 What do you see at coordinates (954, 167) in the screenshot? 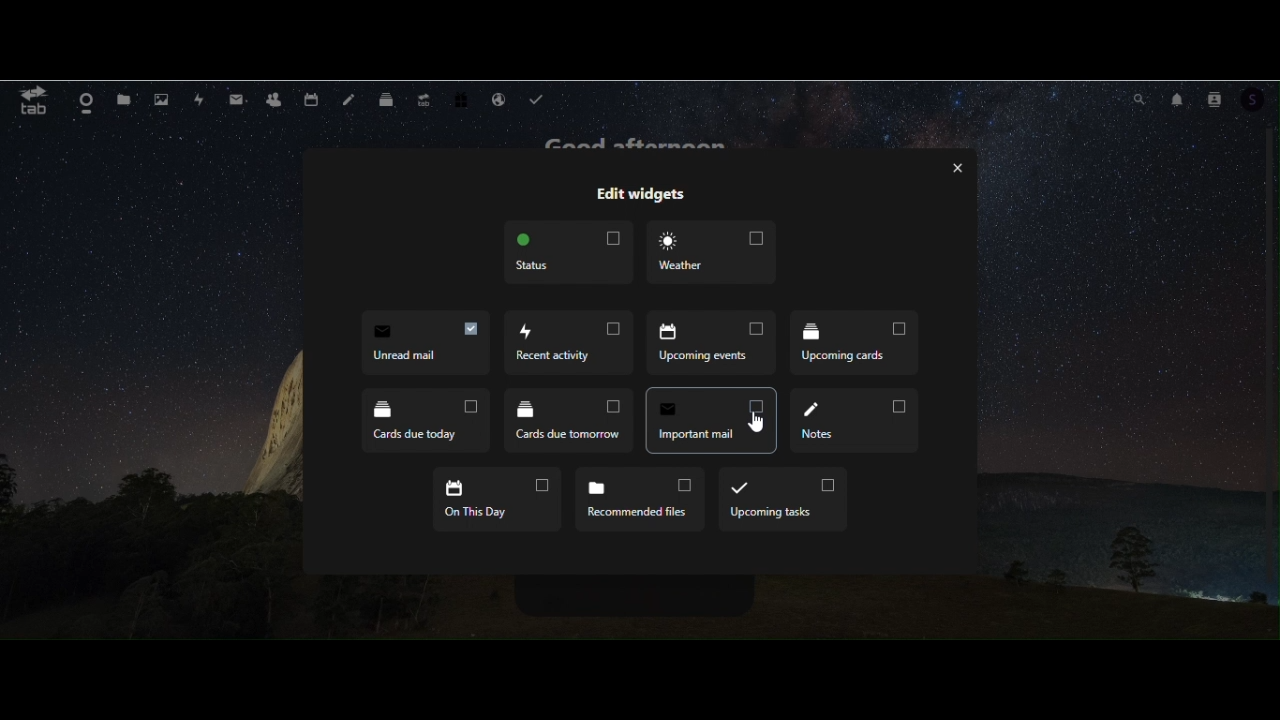
I see `Close` at bounding box center [954, 167].